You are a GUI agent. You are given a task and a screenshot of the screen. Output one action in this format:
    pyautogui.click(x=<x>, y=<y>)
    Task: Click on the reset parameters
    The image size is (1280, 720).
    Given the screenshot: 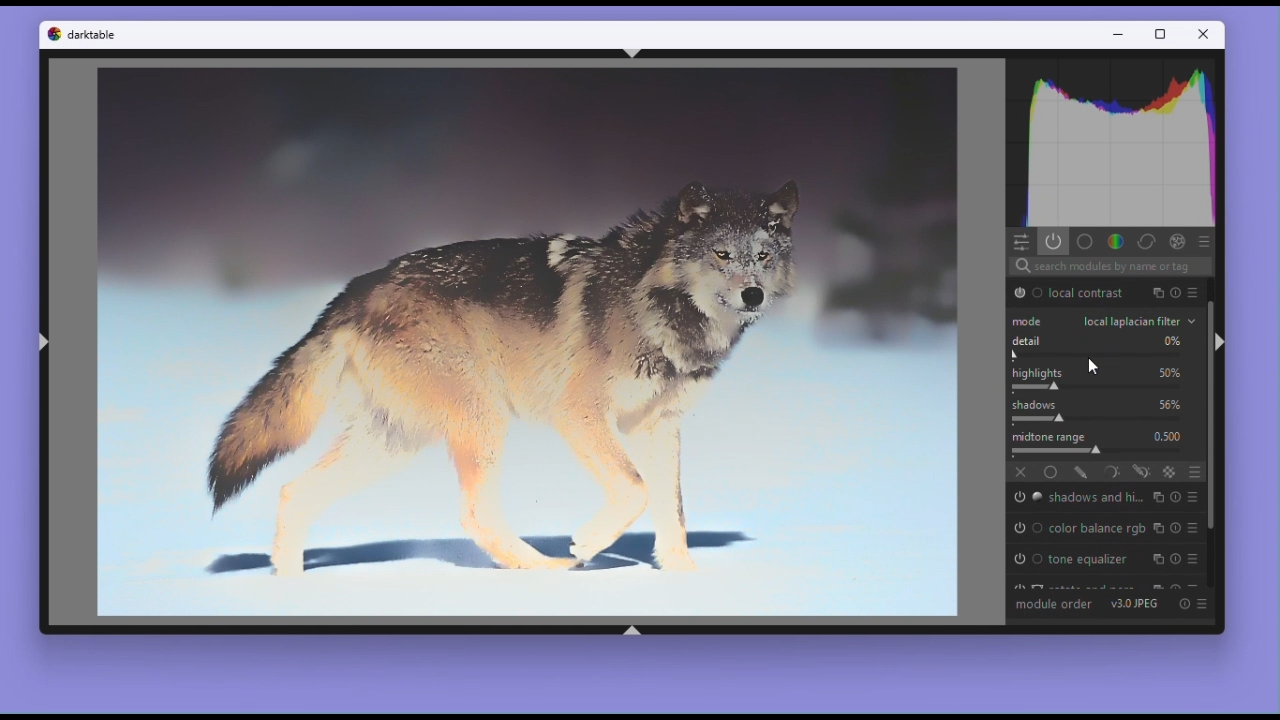 What is the action you would take?
    pyautogui.click(x=1175, y=499)
    